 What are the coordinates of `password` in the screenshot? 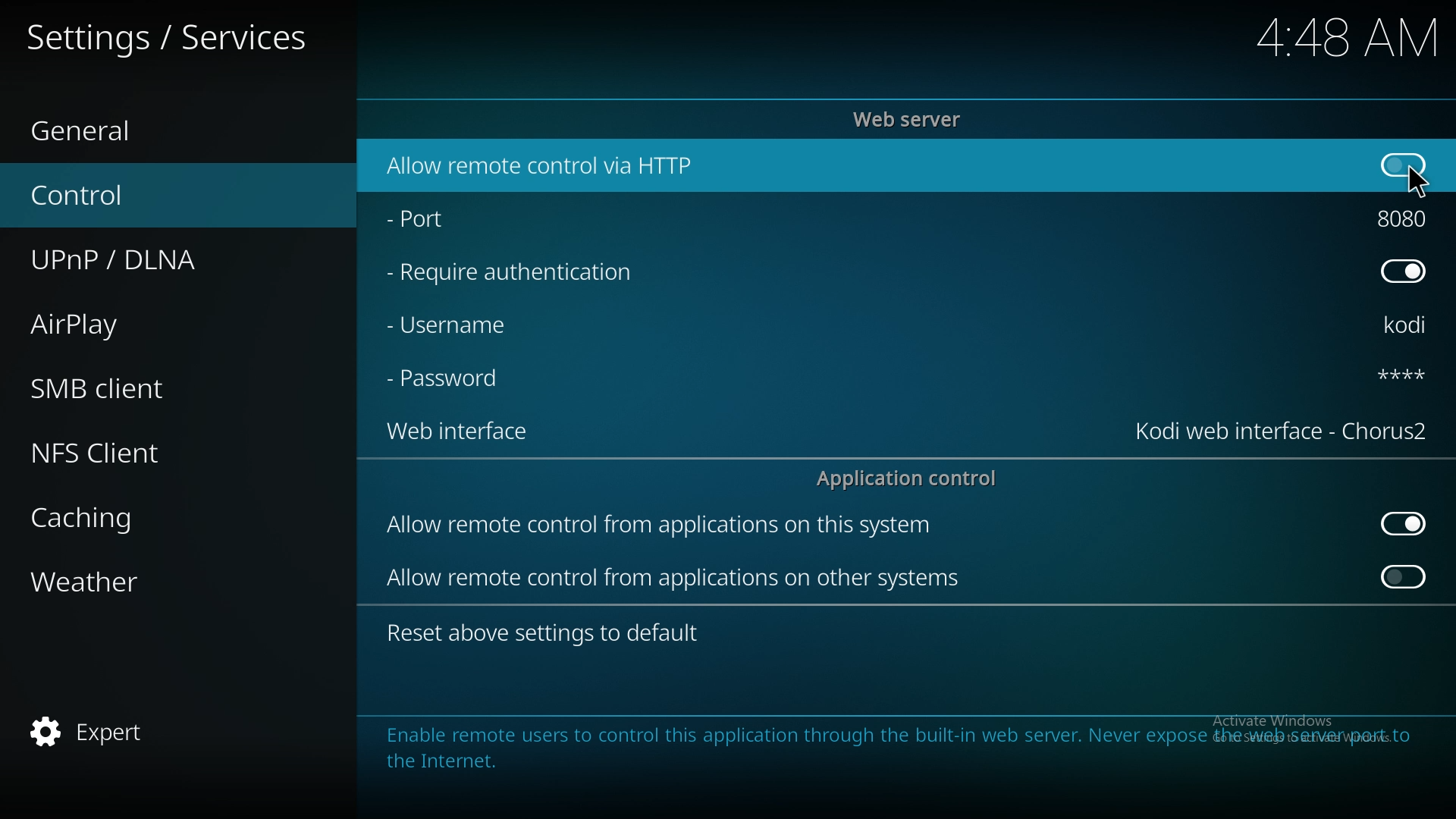 It's located at (453, 380).